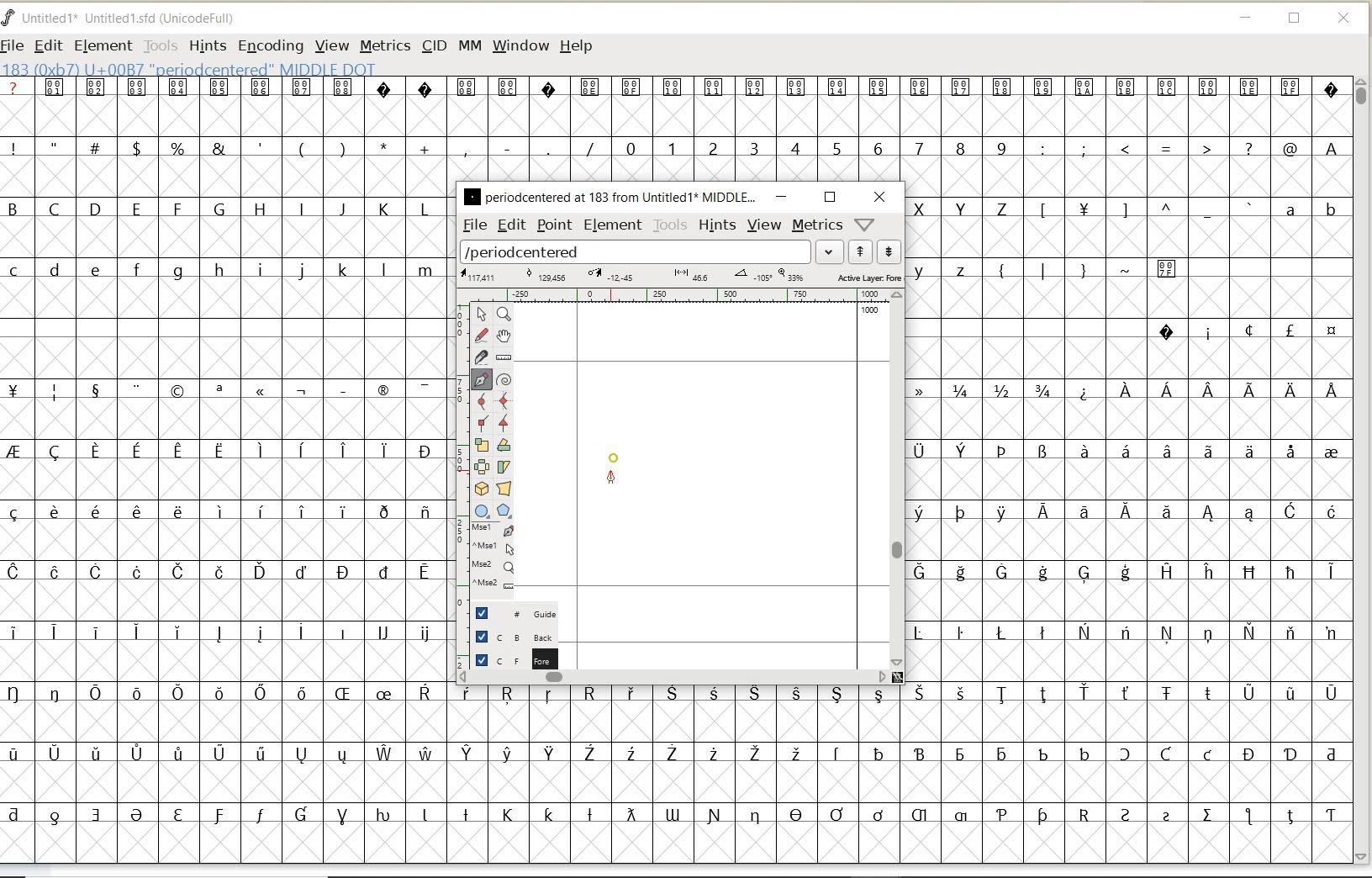  Describe the element at coordinates (206, 45) in the screenshot. I see `HINTS` at that location.